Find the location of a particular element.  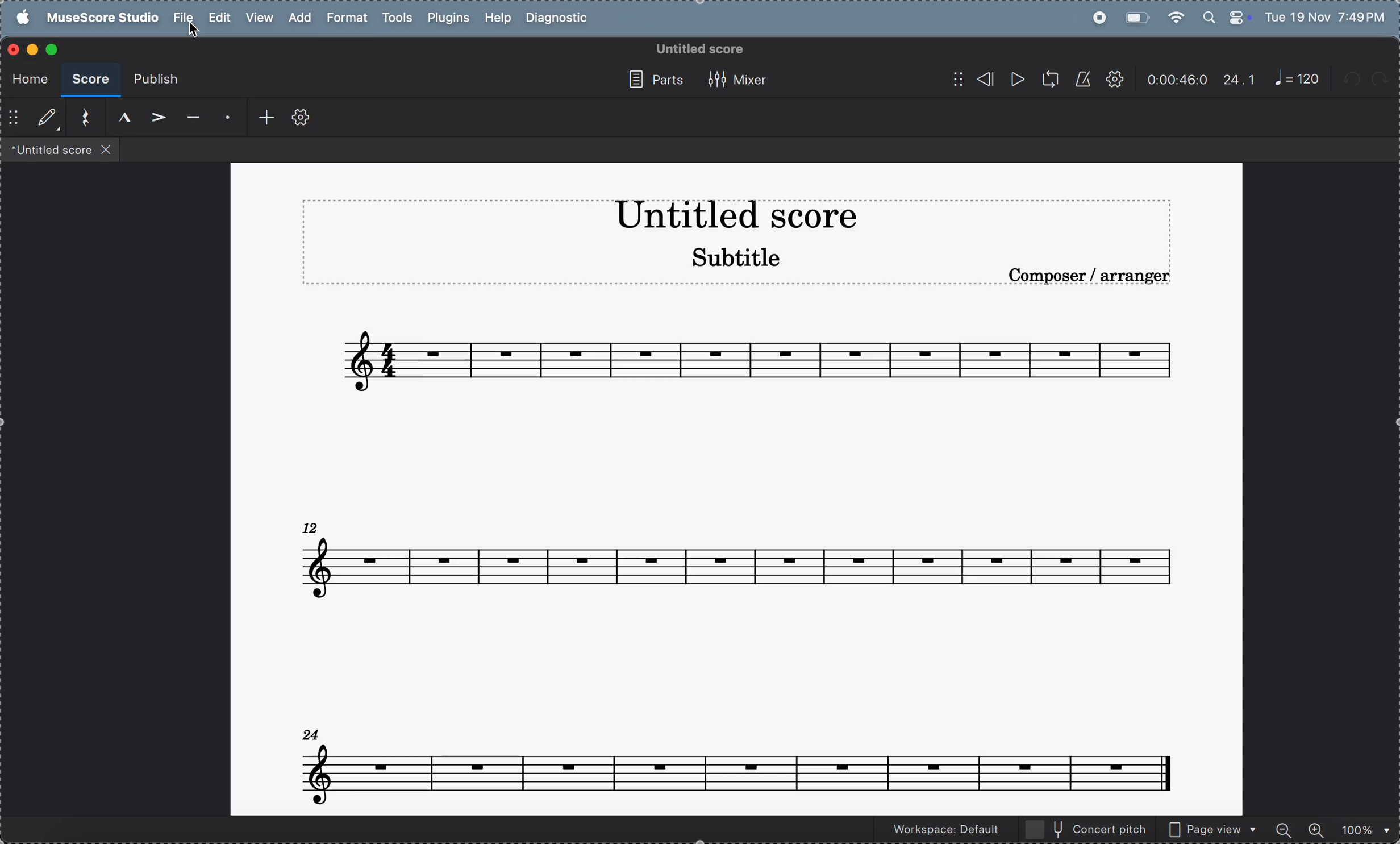

staccato is located at coordinates (225, 119).